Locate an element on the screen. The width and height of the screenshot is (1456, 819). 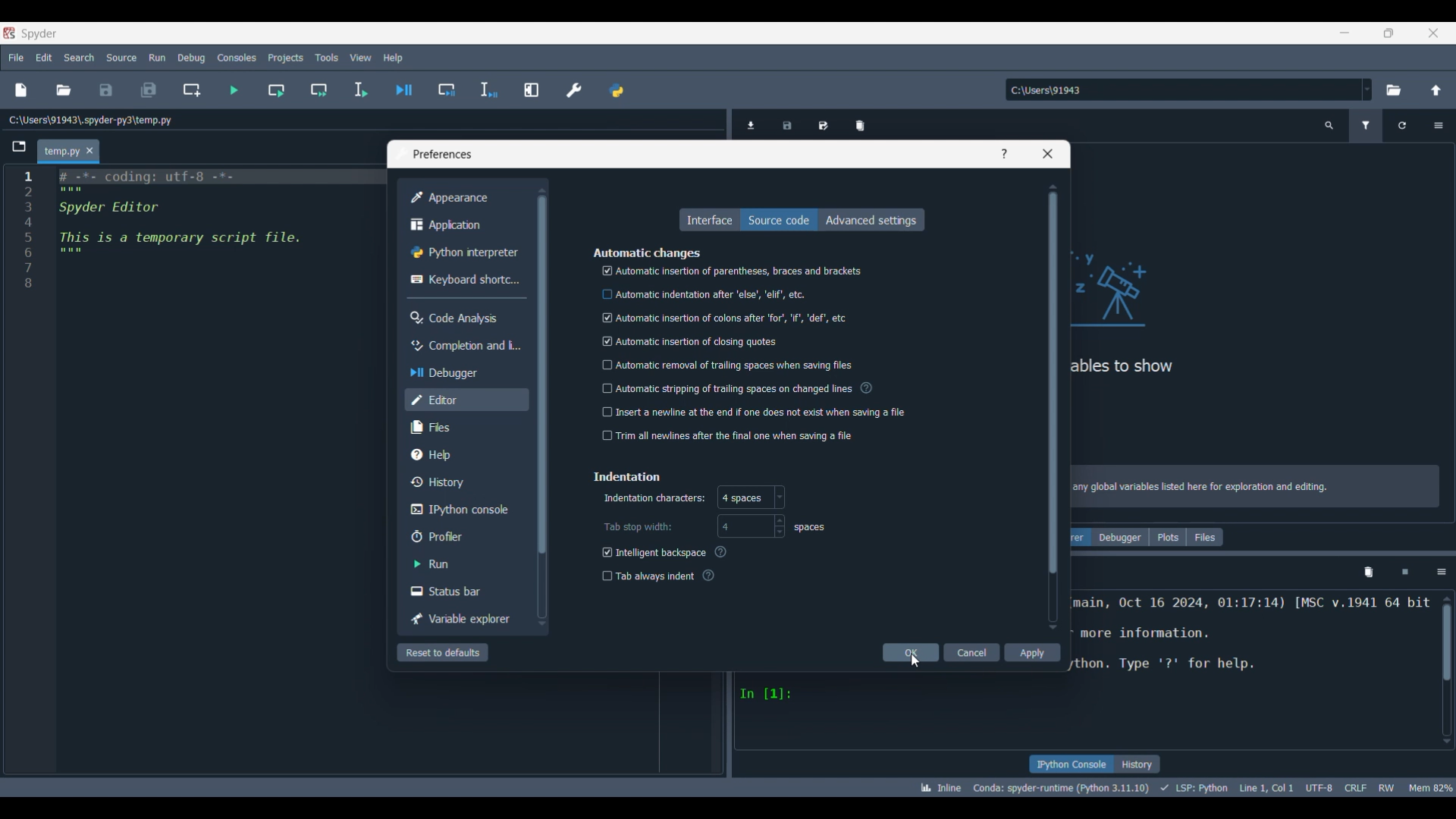
Options is located at coordinates (1442, 573).